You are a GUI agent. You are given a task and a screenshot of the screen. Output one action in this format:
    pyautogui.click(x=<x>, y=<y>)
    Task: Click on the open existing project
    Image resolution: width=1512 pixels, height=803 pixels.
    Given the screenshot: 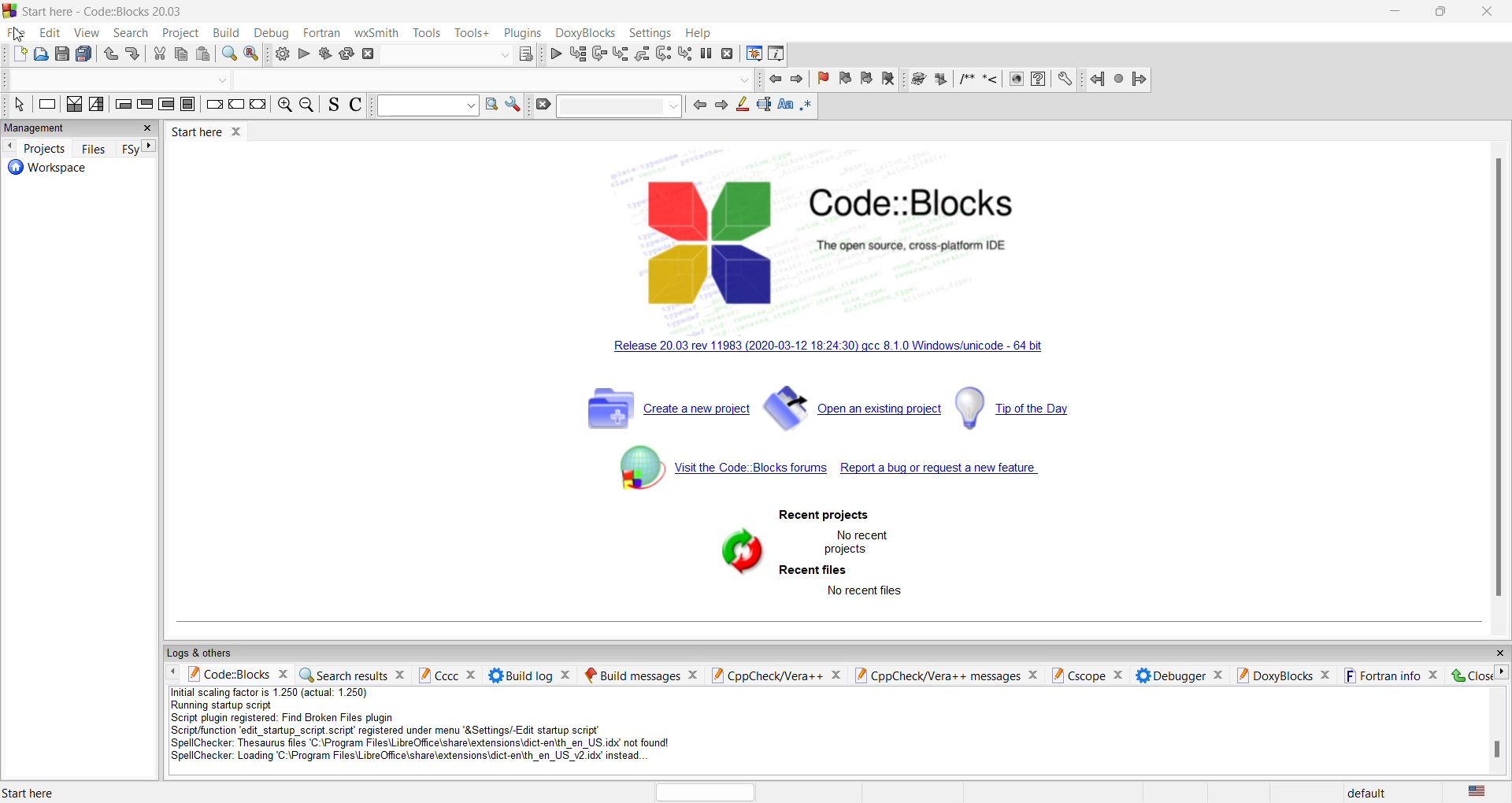 What is the action you would take?
    pyautogui.click(x=854, y=413)
    